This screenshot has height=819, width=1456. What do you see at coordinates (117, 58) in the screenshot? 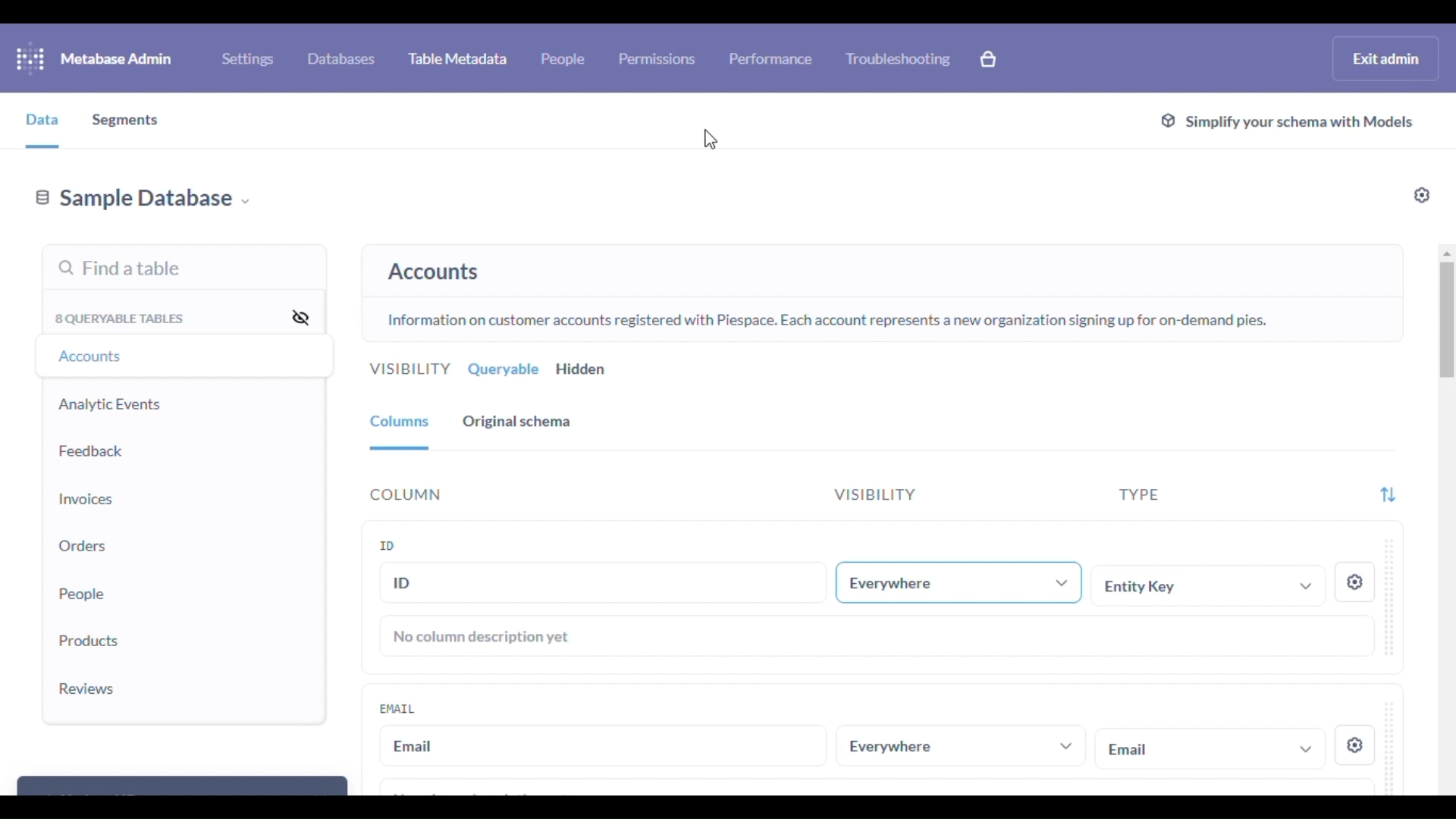
I see `metabase admin` at bounding box center [117, 58].